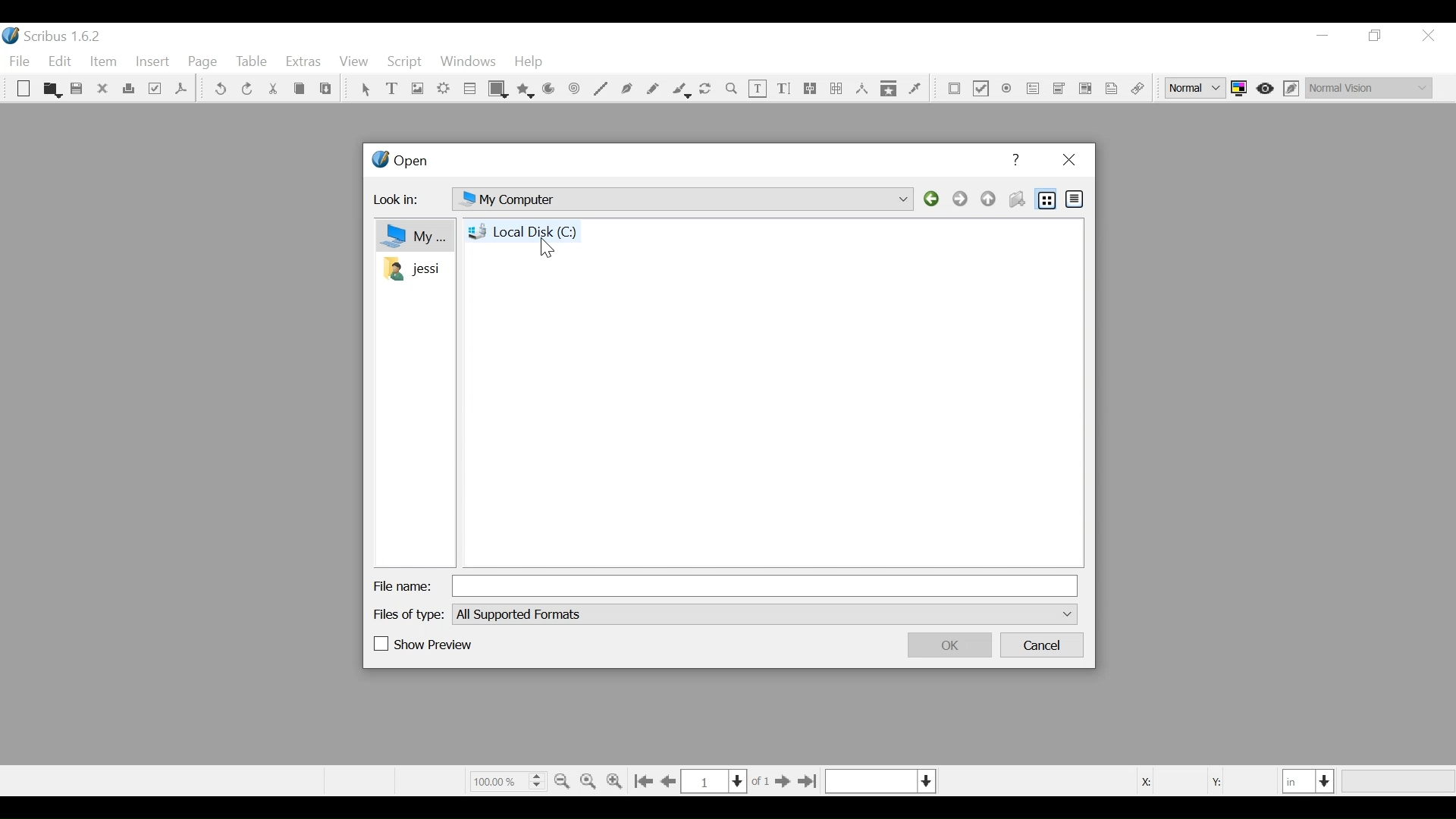 Image resolution: width=1456 pixels, height=819 pixels. I want to click on Close, so click(104, 89).